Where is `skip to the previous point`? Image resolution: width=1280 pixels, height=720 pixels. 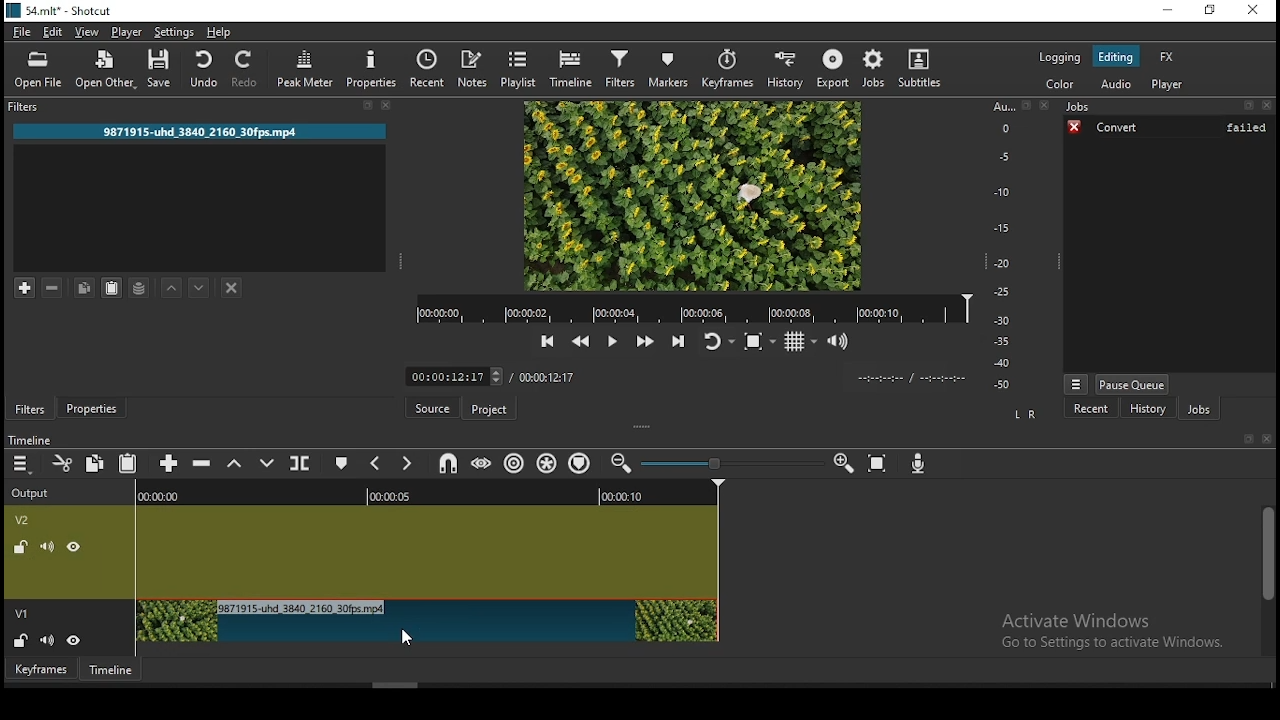 skip to the previous point is located at coordinates (547, 342).